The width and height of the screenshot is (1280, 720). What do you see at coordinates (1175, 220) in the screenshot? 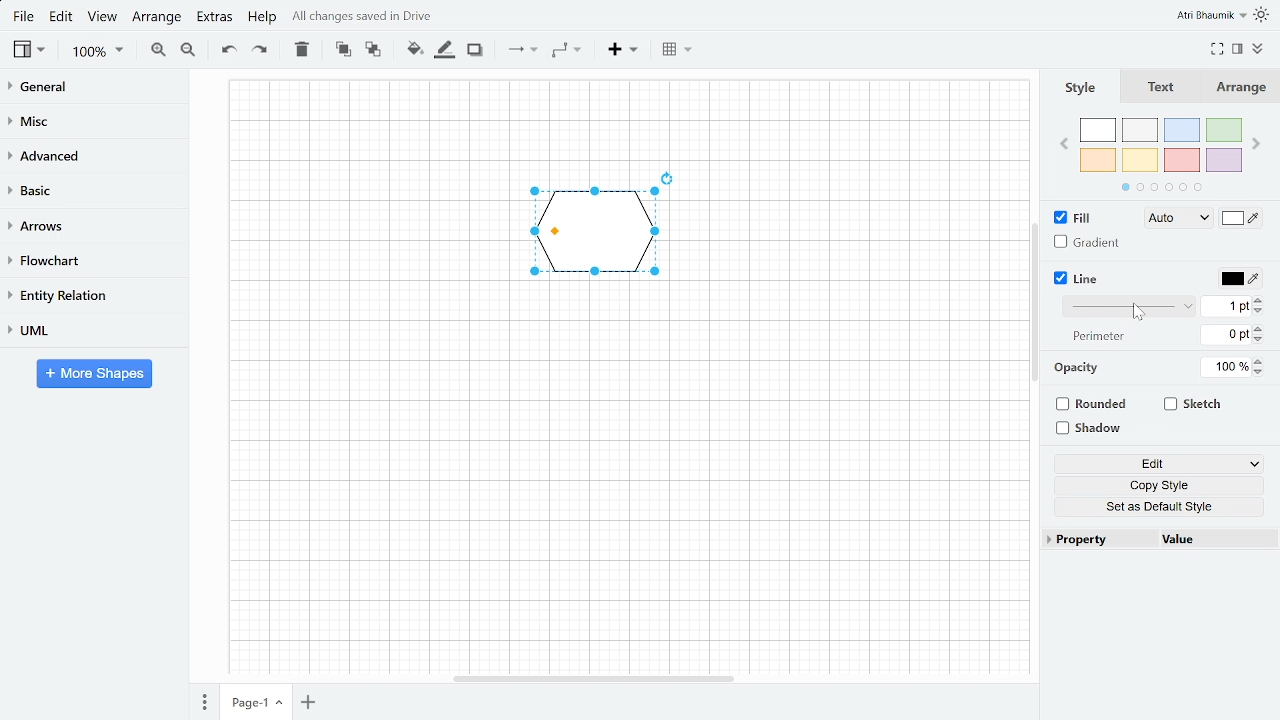
I see `Auto Fill style` at bounding box center [1175, 220].